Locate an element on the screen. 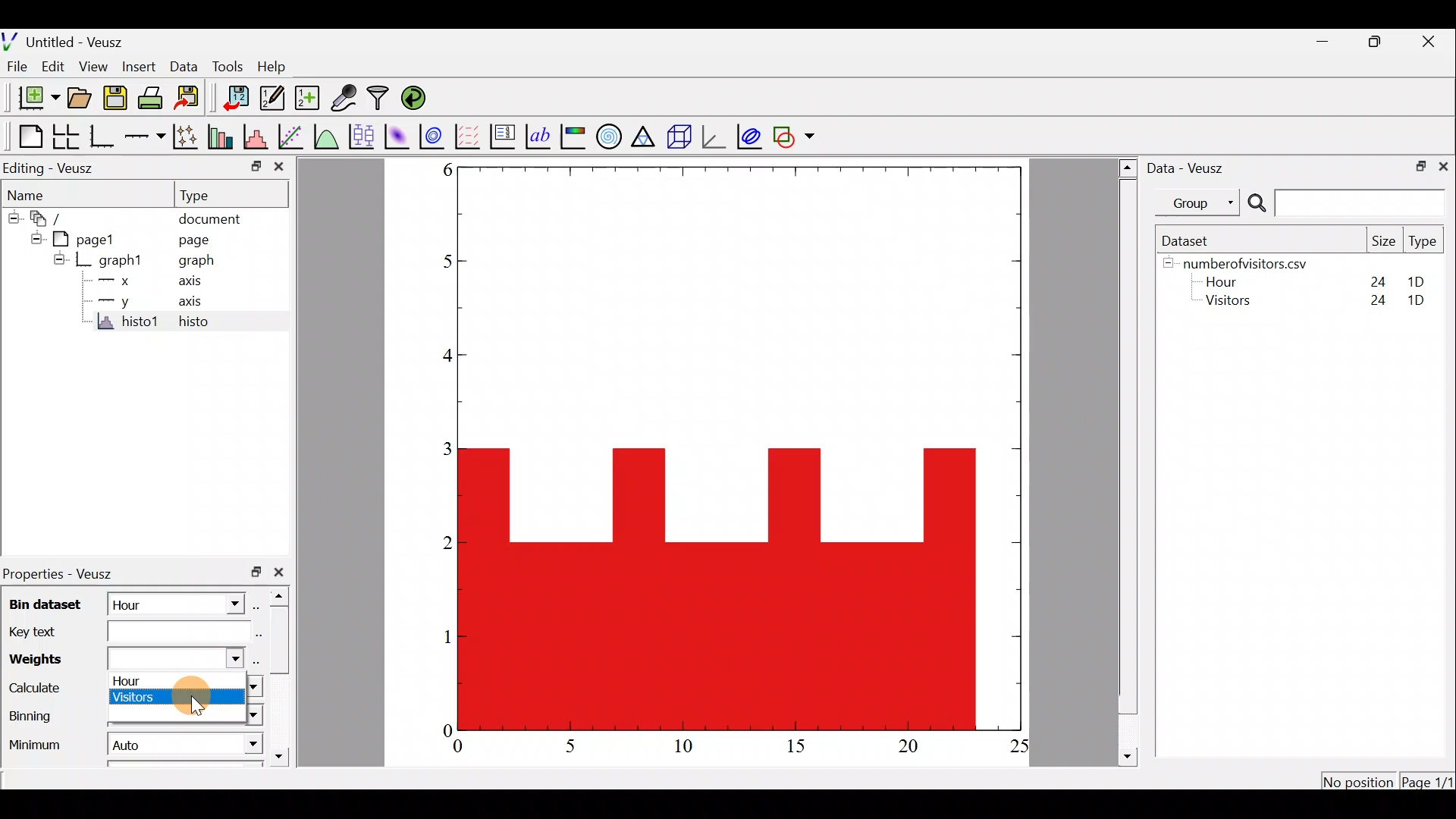 This screenshot has height=819, width=1456. Bin dataset is located at coordinates (50, 605).